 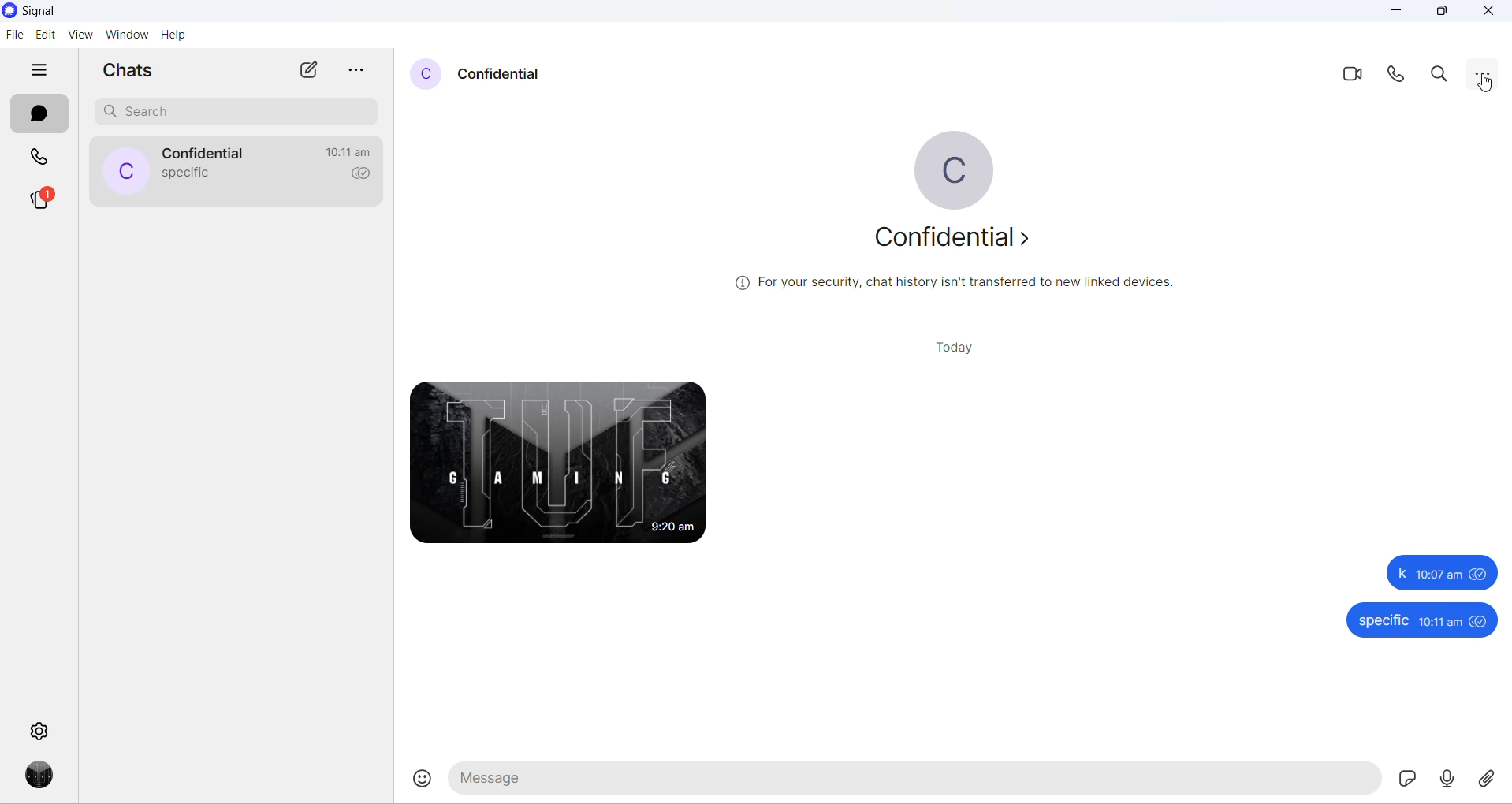 What do you see at coordinates (173, 35) in the screenshot?
I see `help` at bounding box center [173, 35].